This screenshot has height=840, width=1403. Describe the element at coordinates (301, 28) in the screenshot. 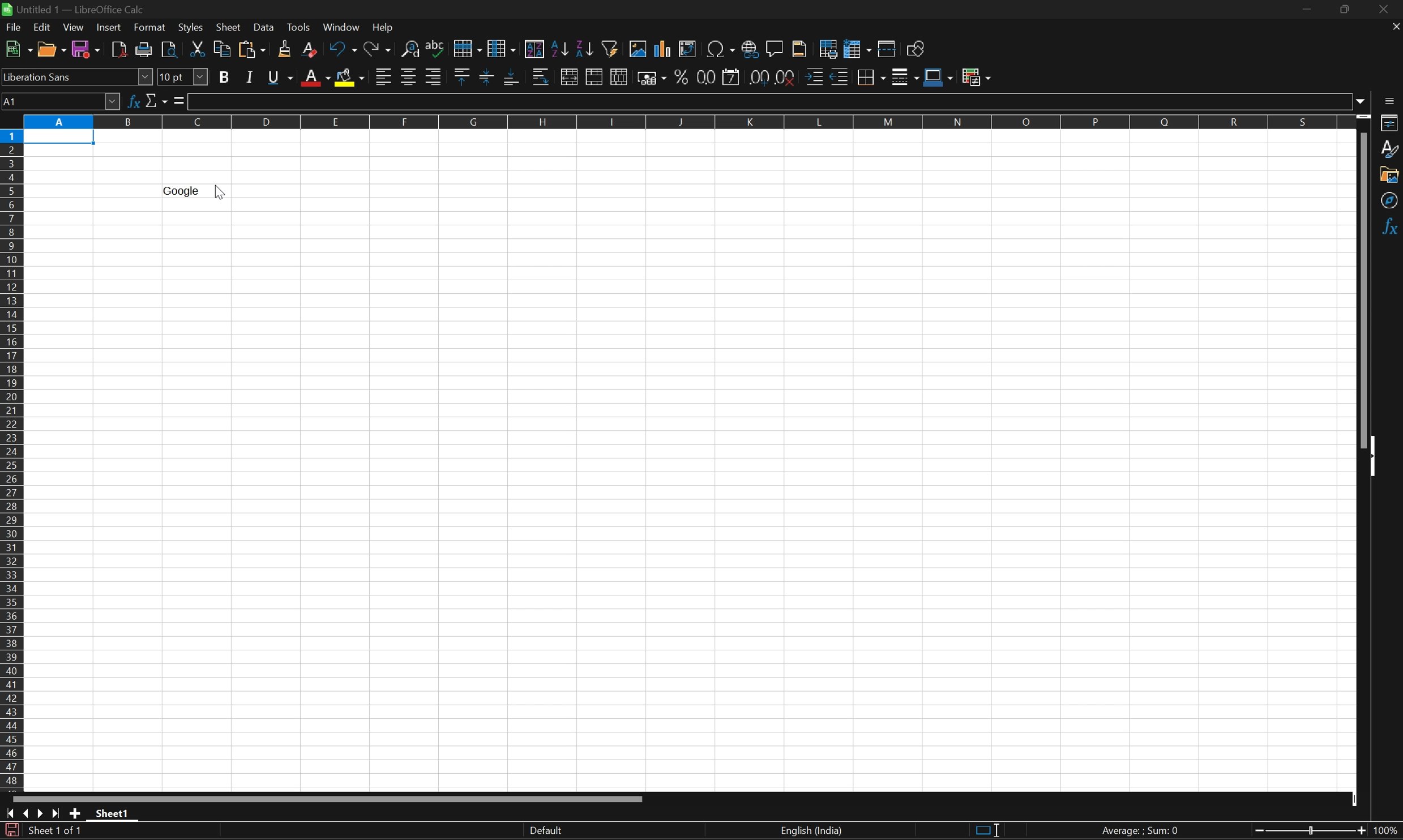

I see `Tools` at that location.